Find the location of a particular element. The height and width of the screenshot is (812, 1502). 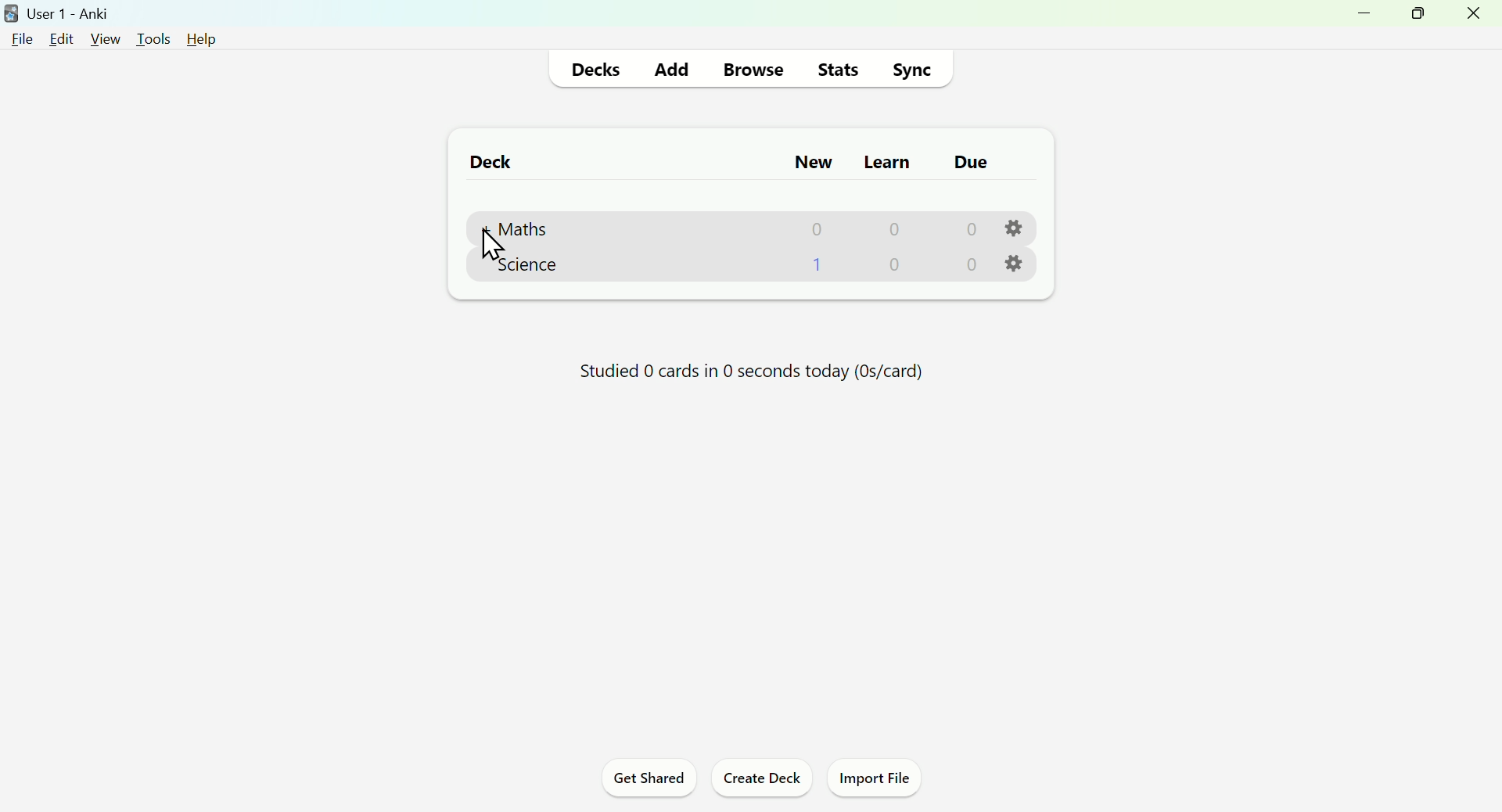

Edit is located at coordinates (66, 37).